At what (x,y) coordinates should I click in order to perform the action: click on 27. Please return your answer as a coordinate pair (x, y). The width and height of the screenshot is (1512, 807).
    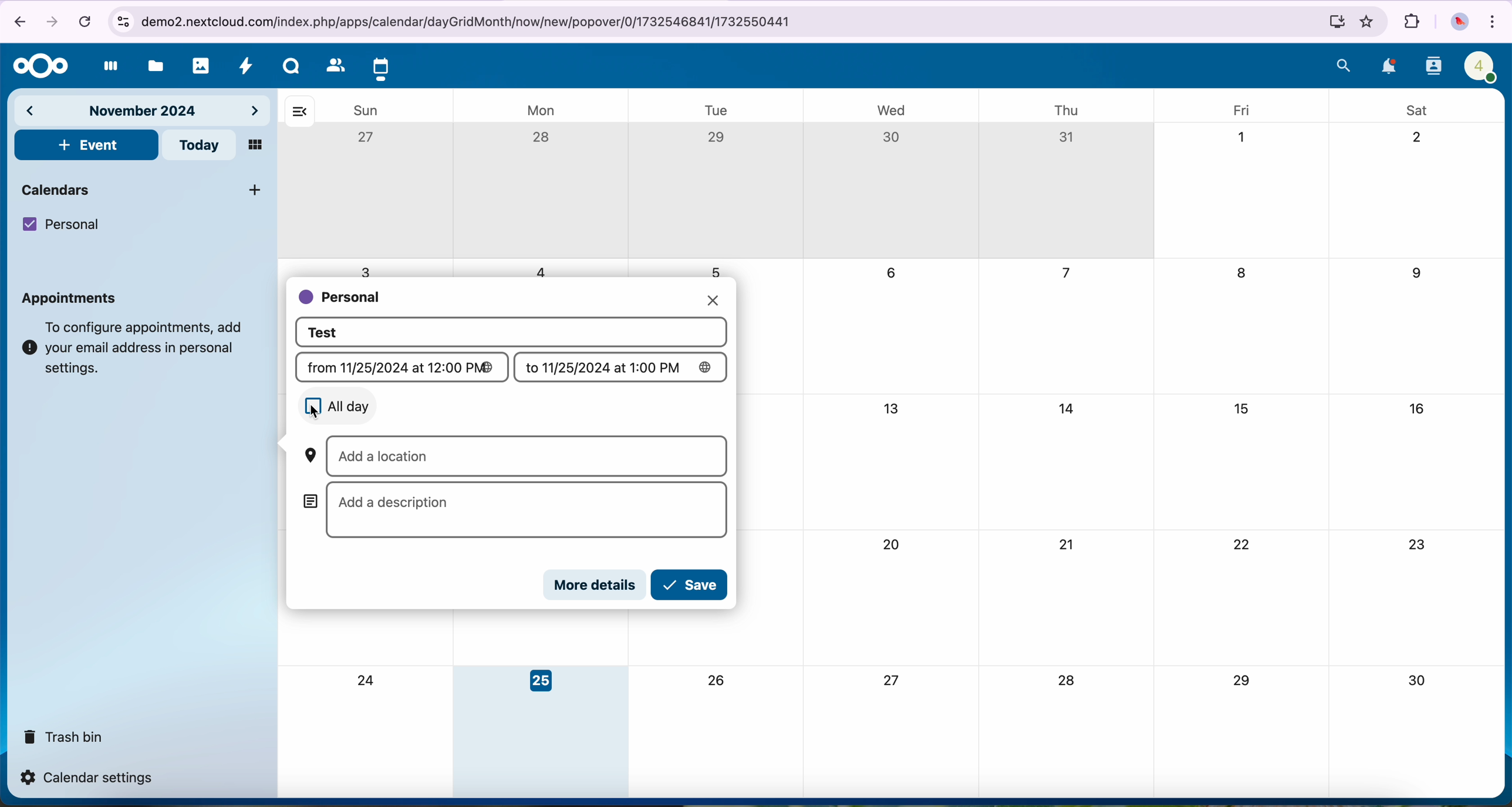
    Looking at the image, I should click on (369, 138).